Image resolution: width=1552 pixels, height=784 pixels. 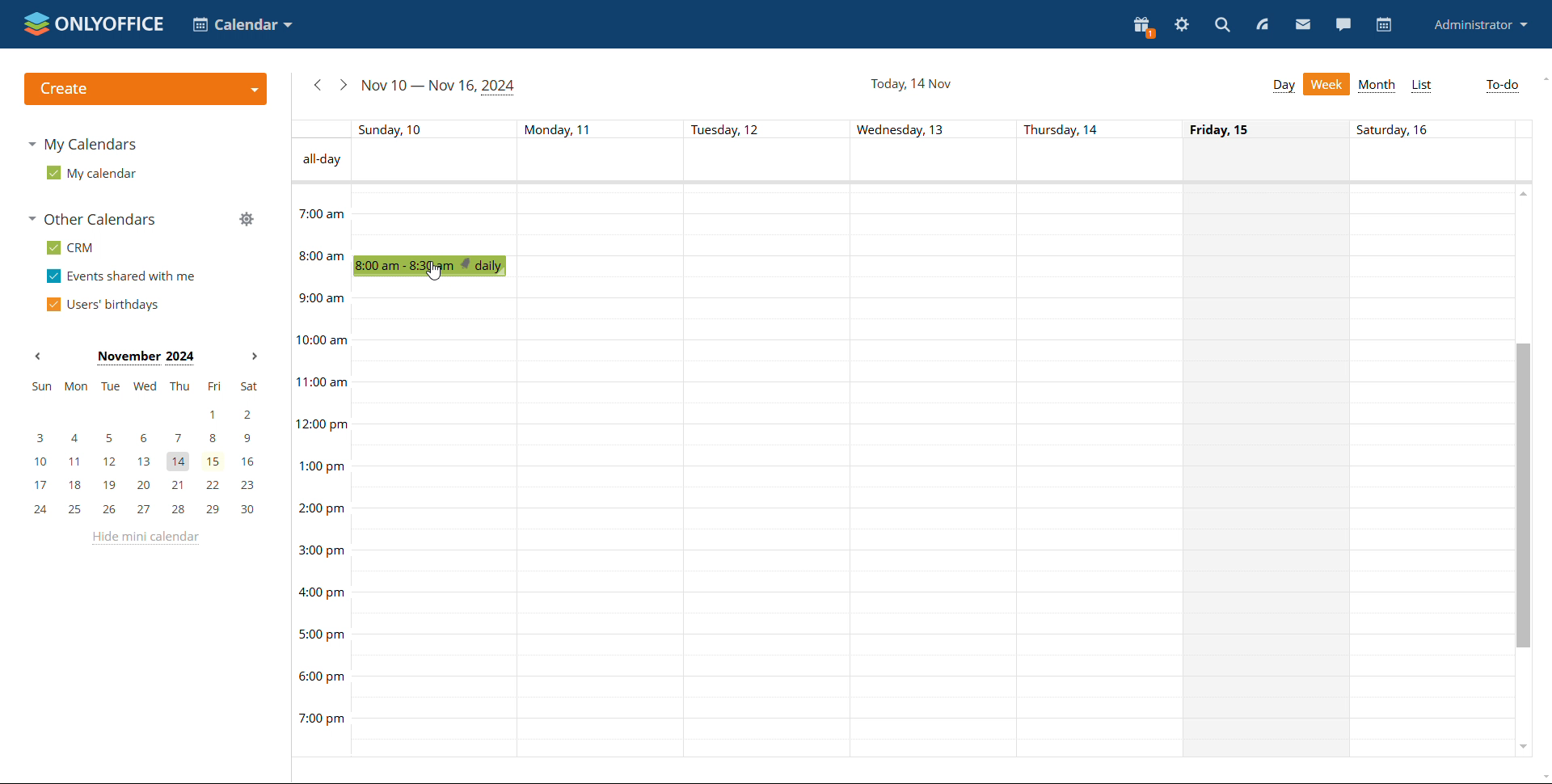 What do you see at coordinates (320, 456) in the screenshot?
I see `time of the day` at bounding box center [320, 456].